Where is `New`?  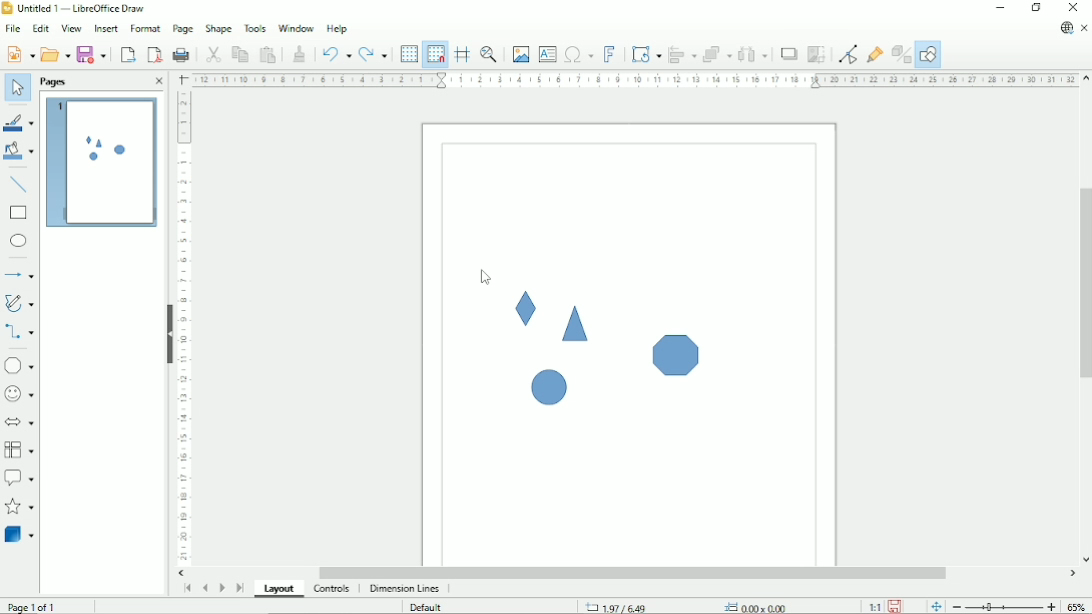
New is located at coordinates (20, 53).